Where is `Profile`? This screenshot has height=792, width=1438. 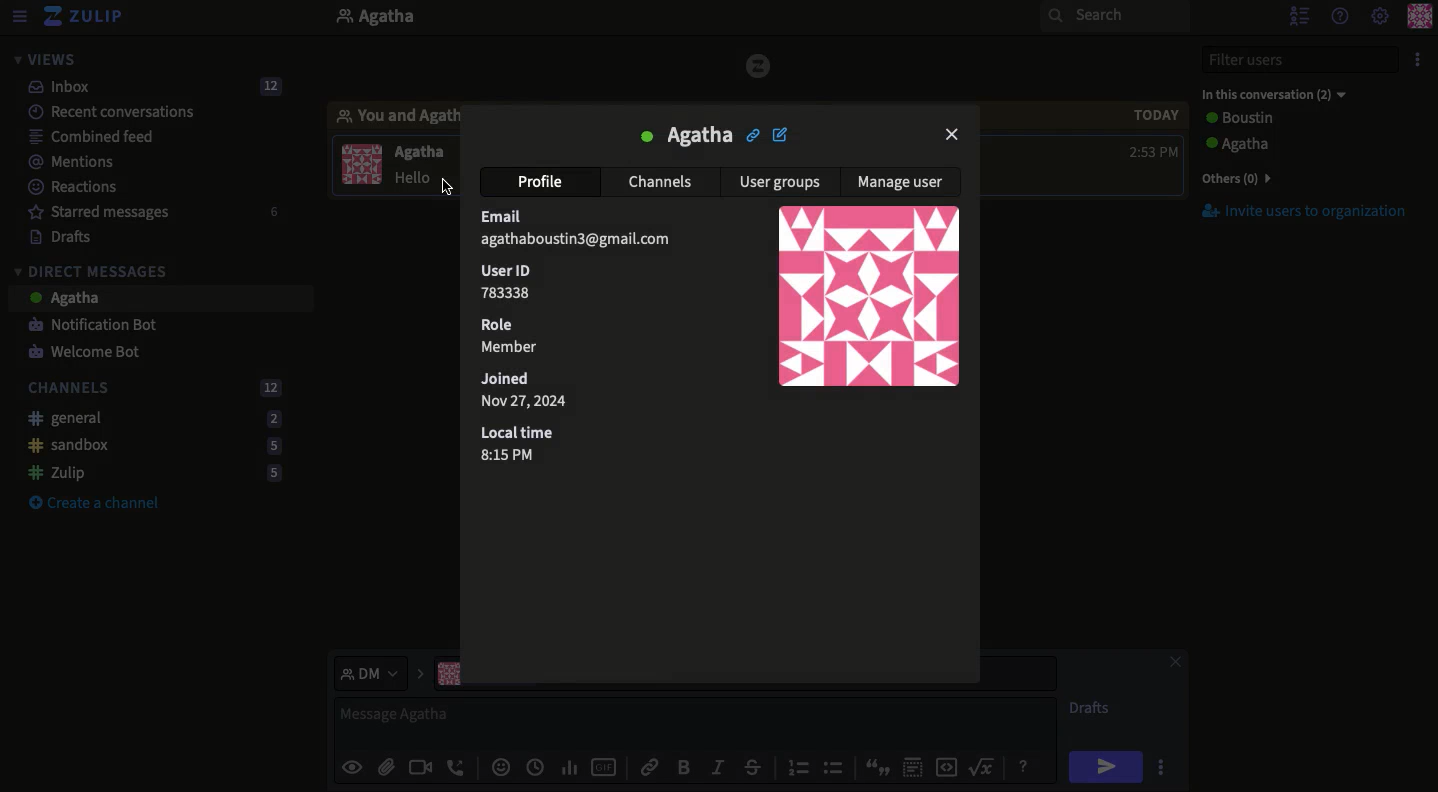 Profile is located at coordinates (546, 181).